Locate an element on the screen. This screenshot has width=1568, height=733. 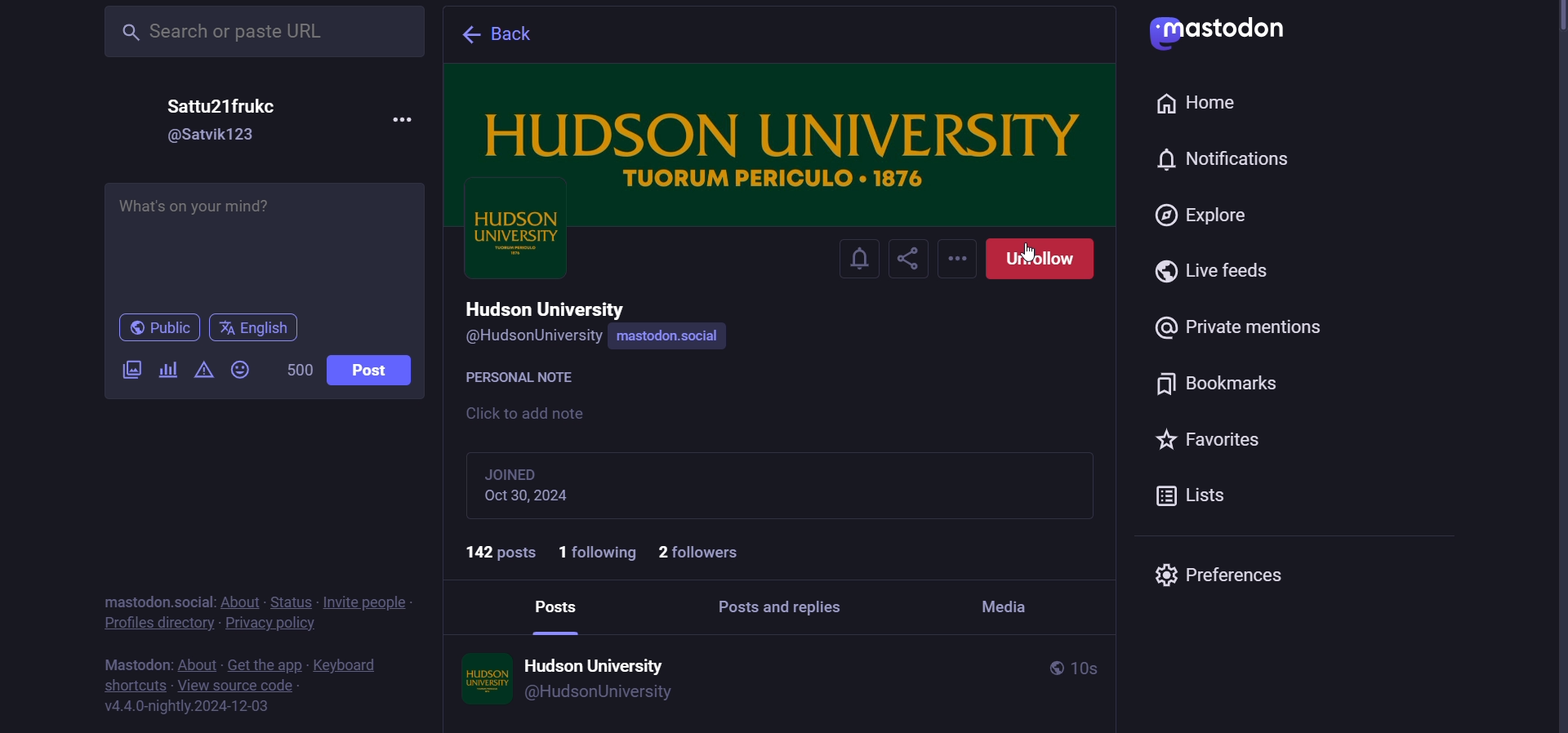
get the app is located at coordinates (265, 665).